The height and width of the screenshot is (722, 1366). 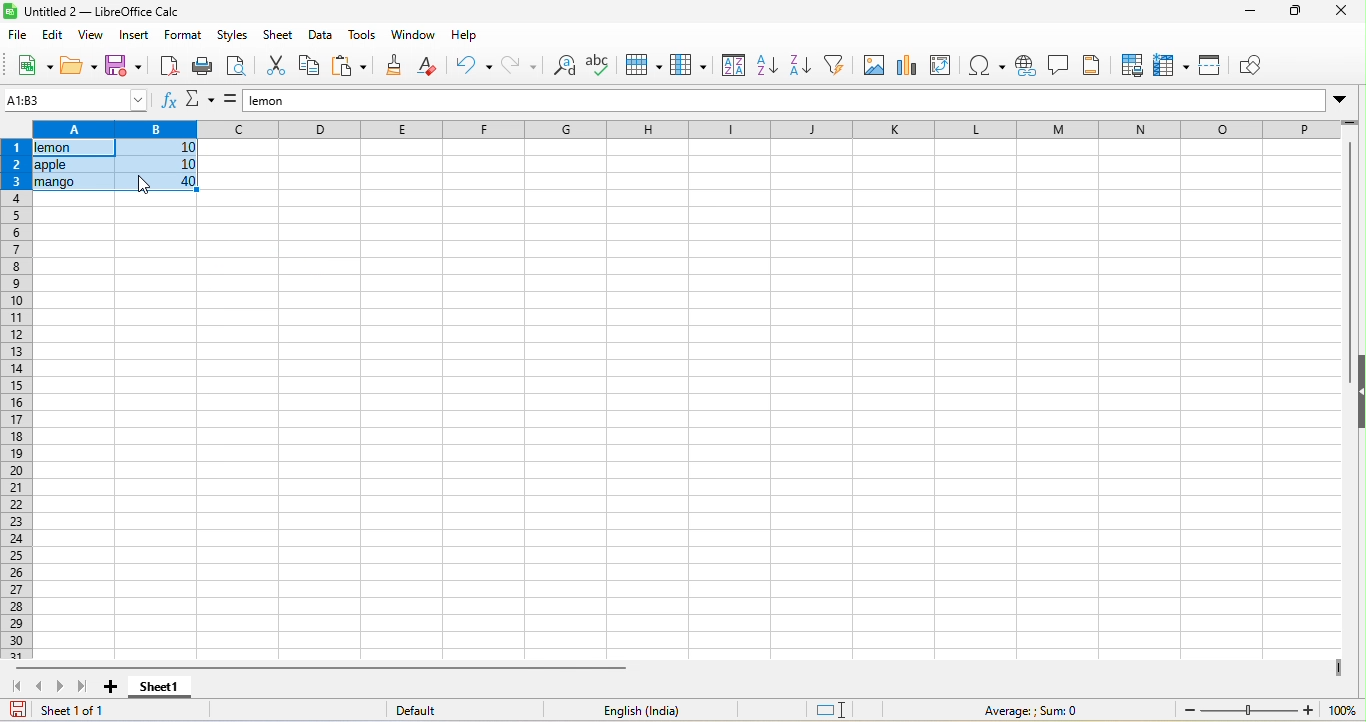 What do you see at coordinates (872, 67) in the screenshot?
I see `image` at bounding box center [872, 67].